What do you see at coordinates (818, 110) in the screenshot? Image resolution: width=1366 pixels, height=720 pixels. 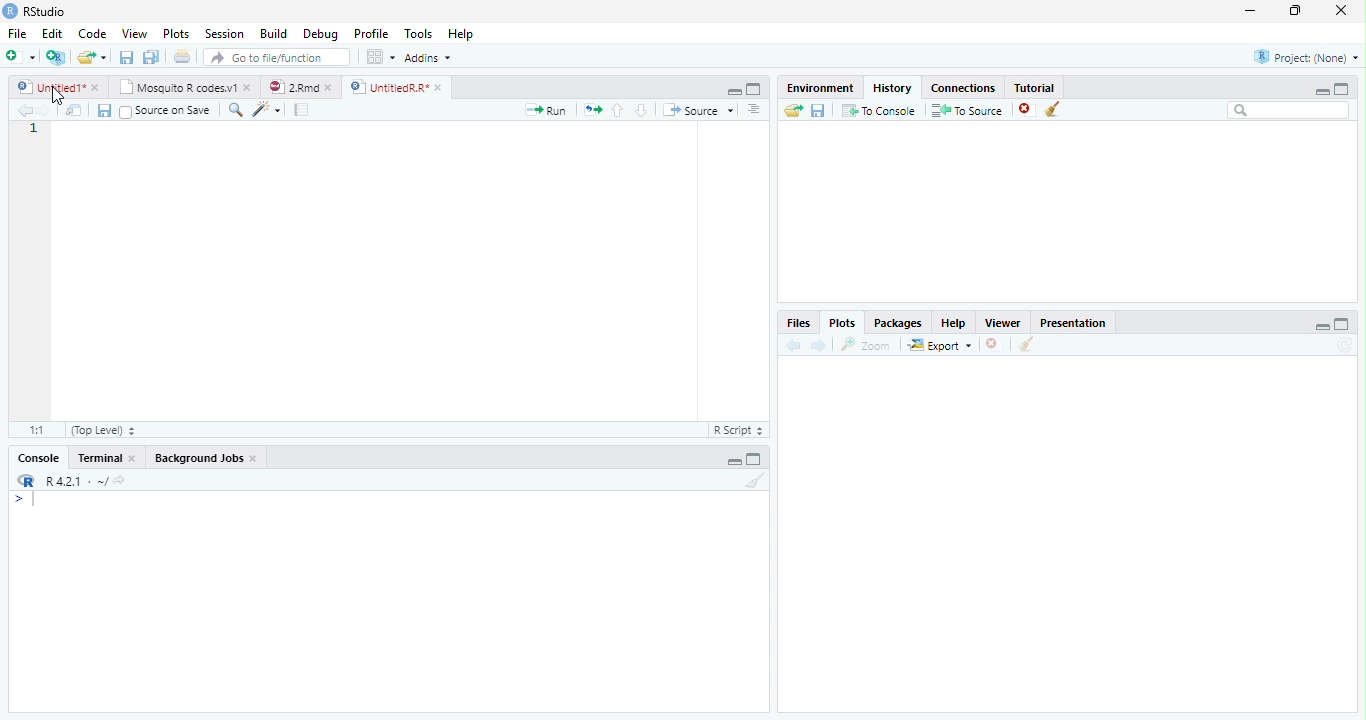 I see `Save history into a file` at bounding box center [818, 110].